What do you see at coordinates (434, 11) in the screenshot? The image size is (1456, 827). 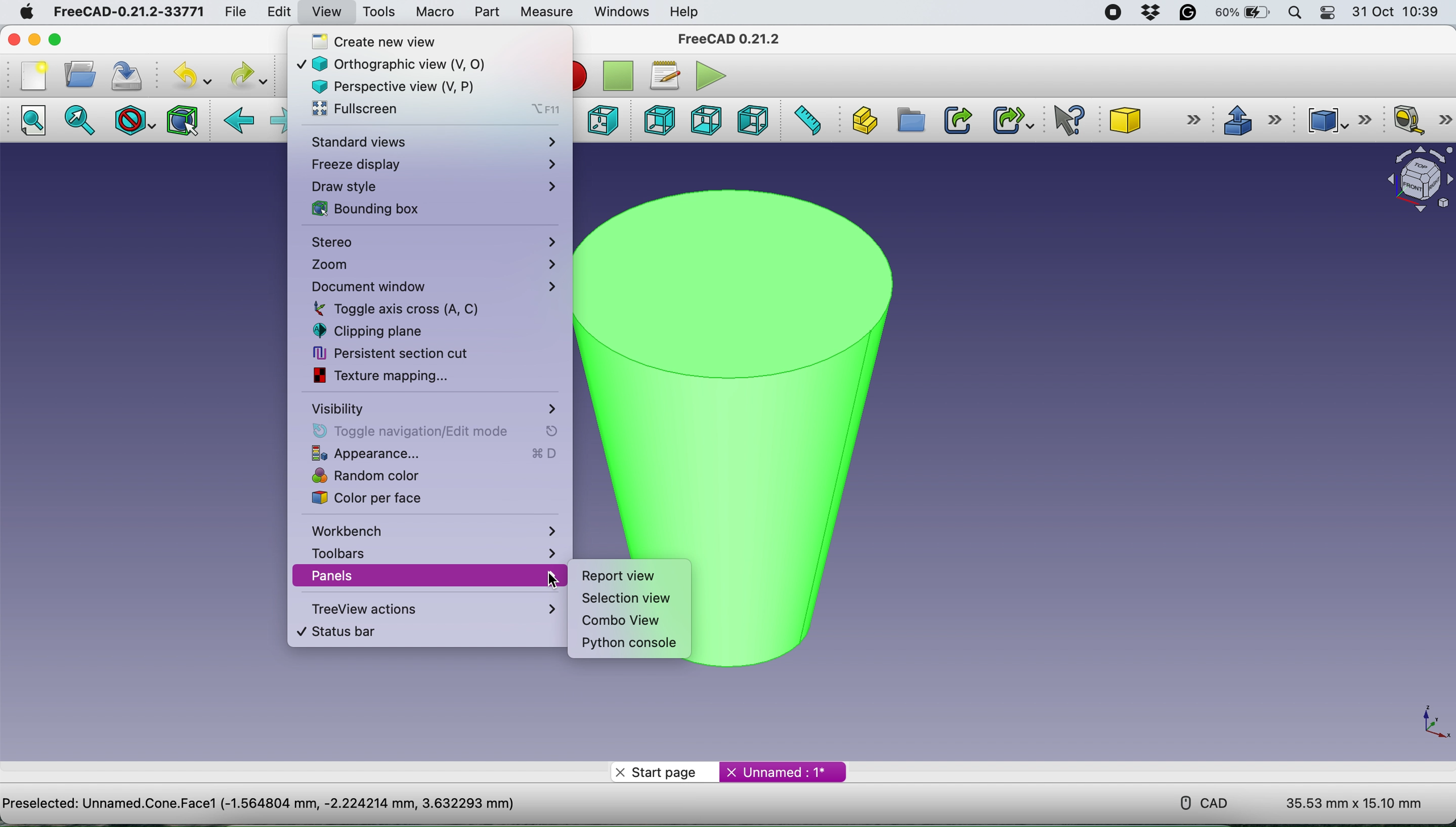 I see `macro` at bounding box center [434, 11].